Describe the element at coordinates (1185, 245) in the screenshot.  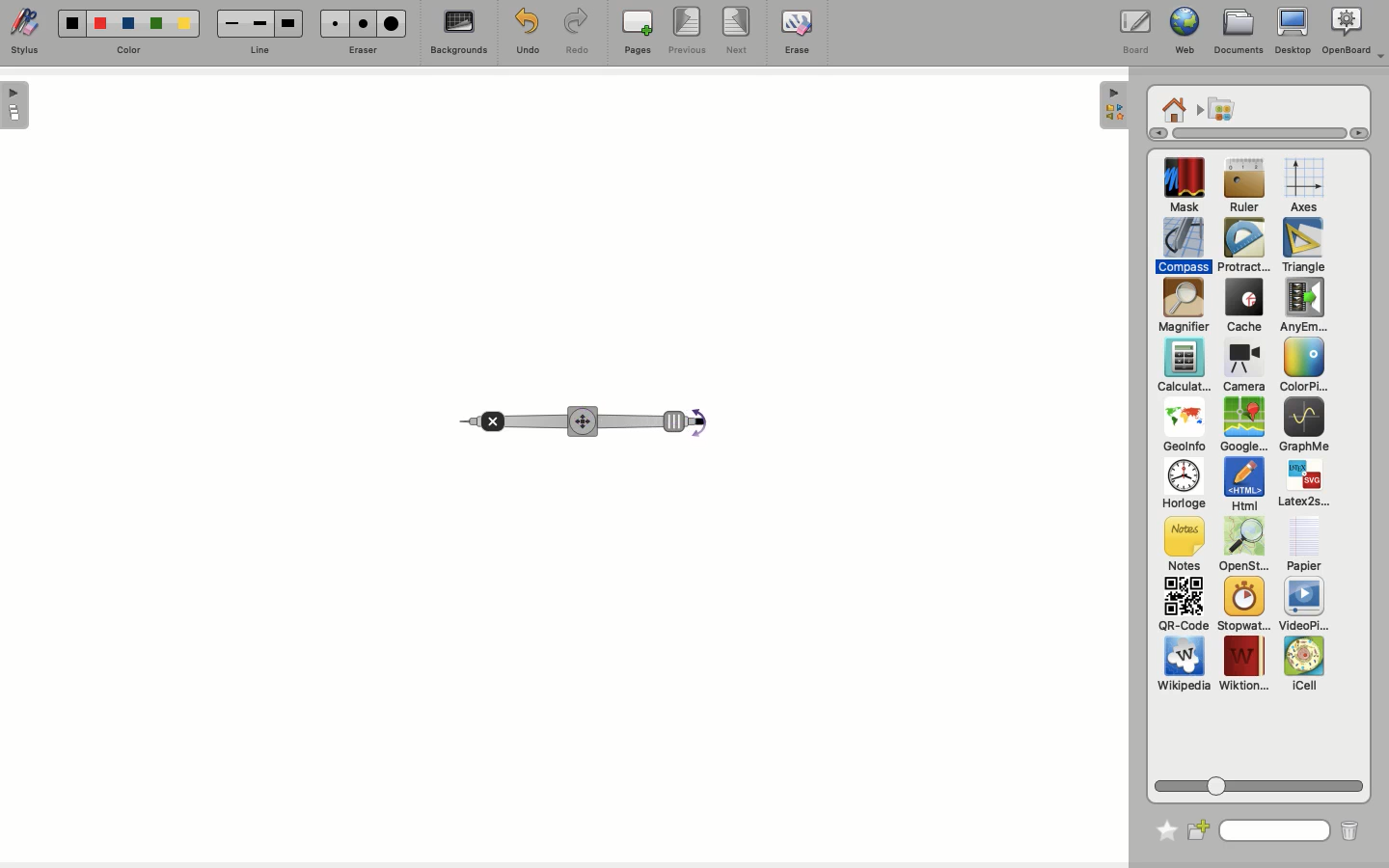
I see `Compass` at that location.